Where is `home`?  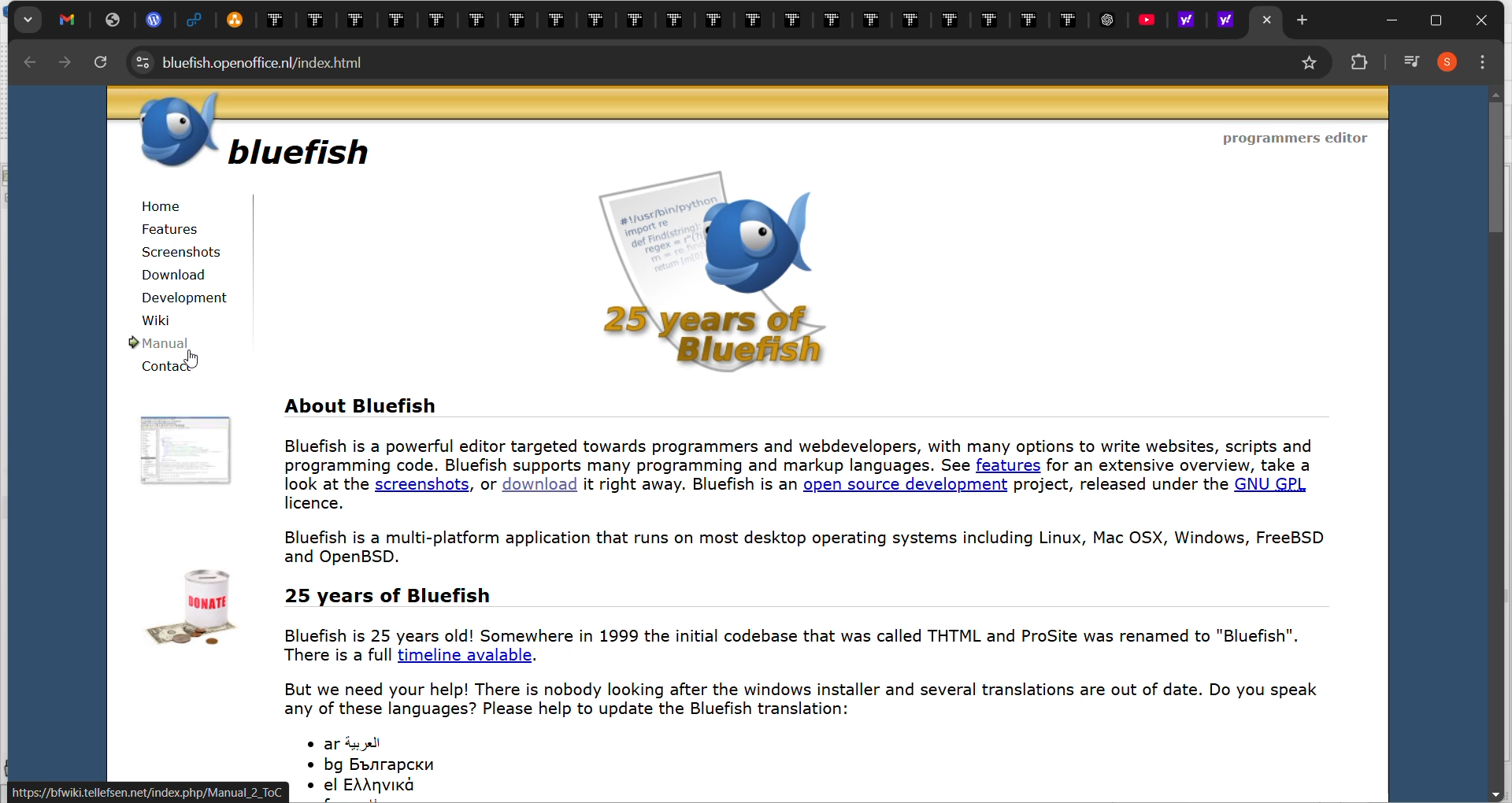
home is located at coordinates (165, 206).